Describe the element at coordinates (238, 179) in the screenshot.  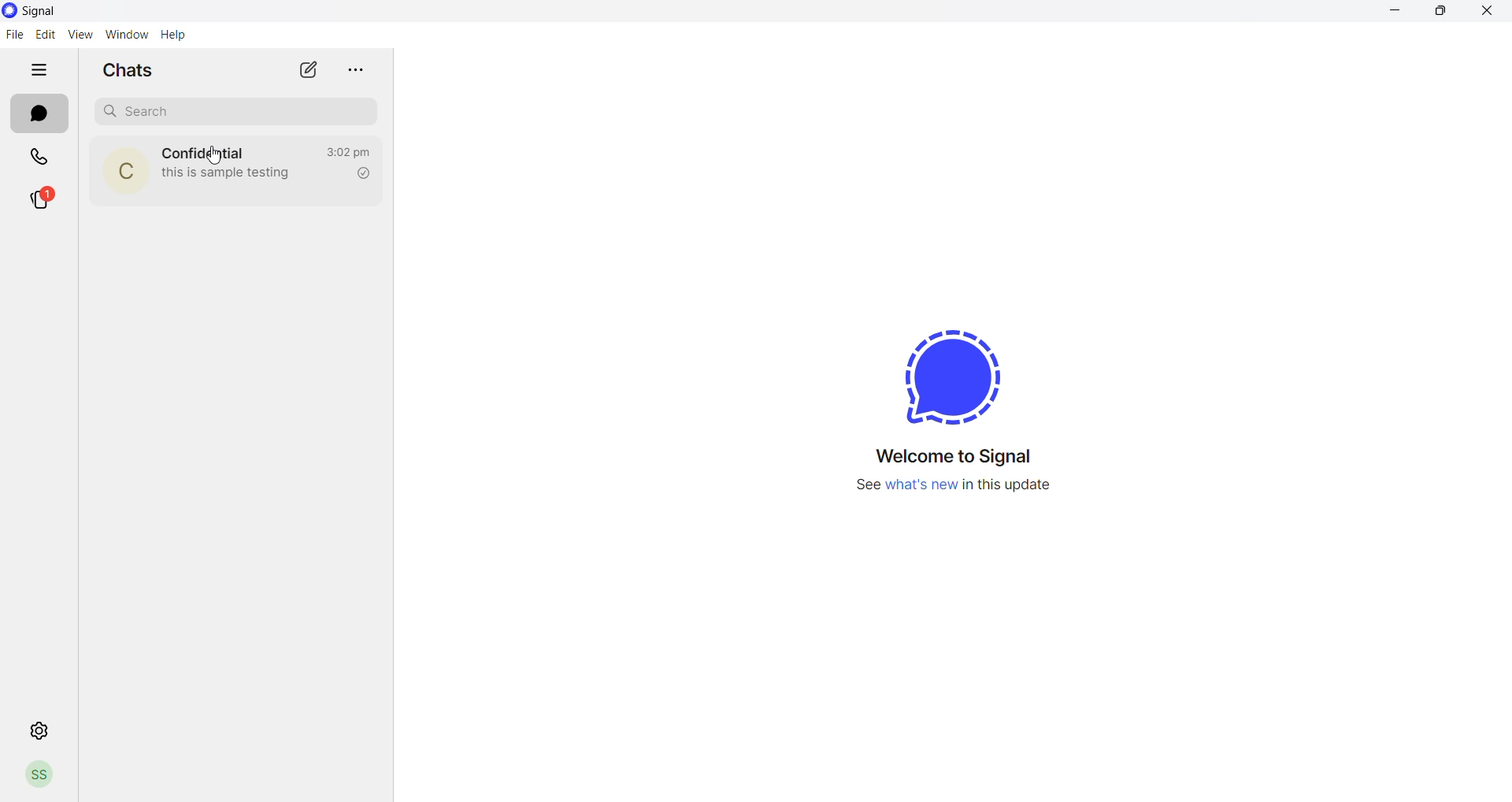
I see `last message` at that location.